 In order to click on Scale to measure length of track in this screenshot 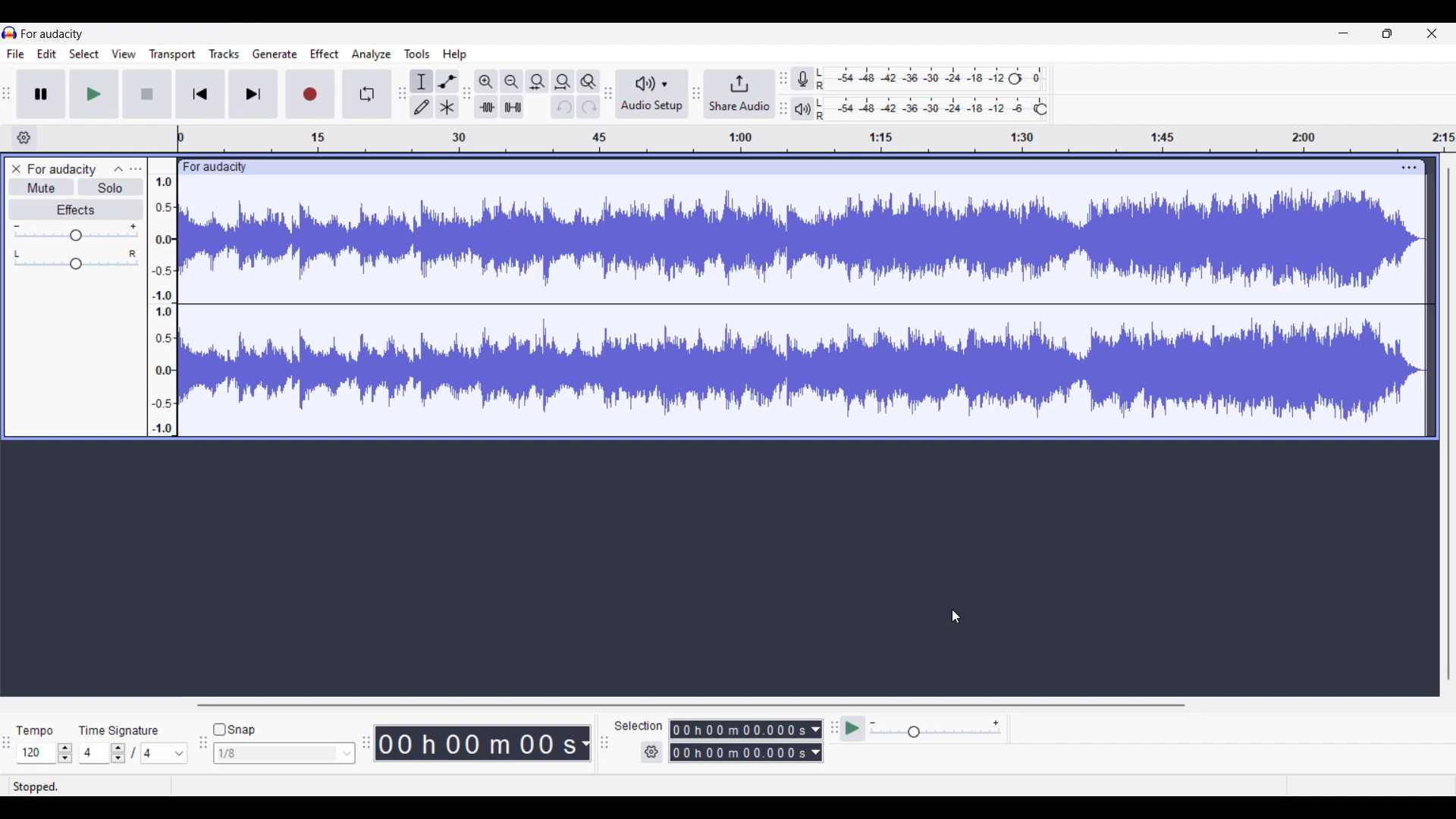, I will do `click(817, 138)`.